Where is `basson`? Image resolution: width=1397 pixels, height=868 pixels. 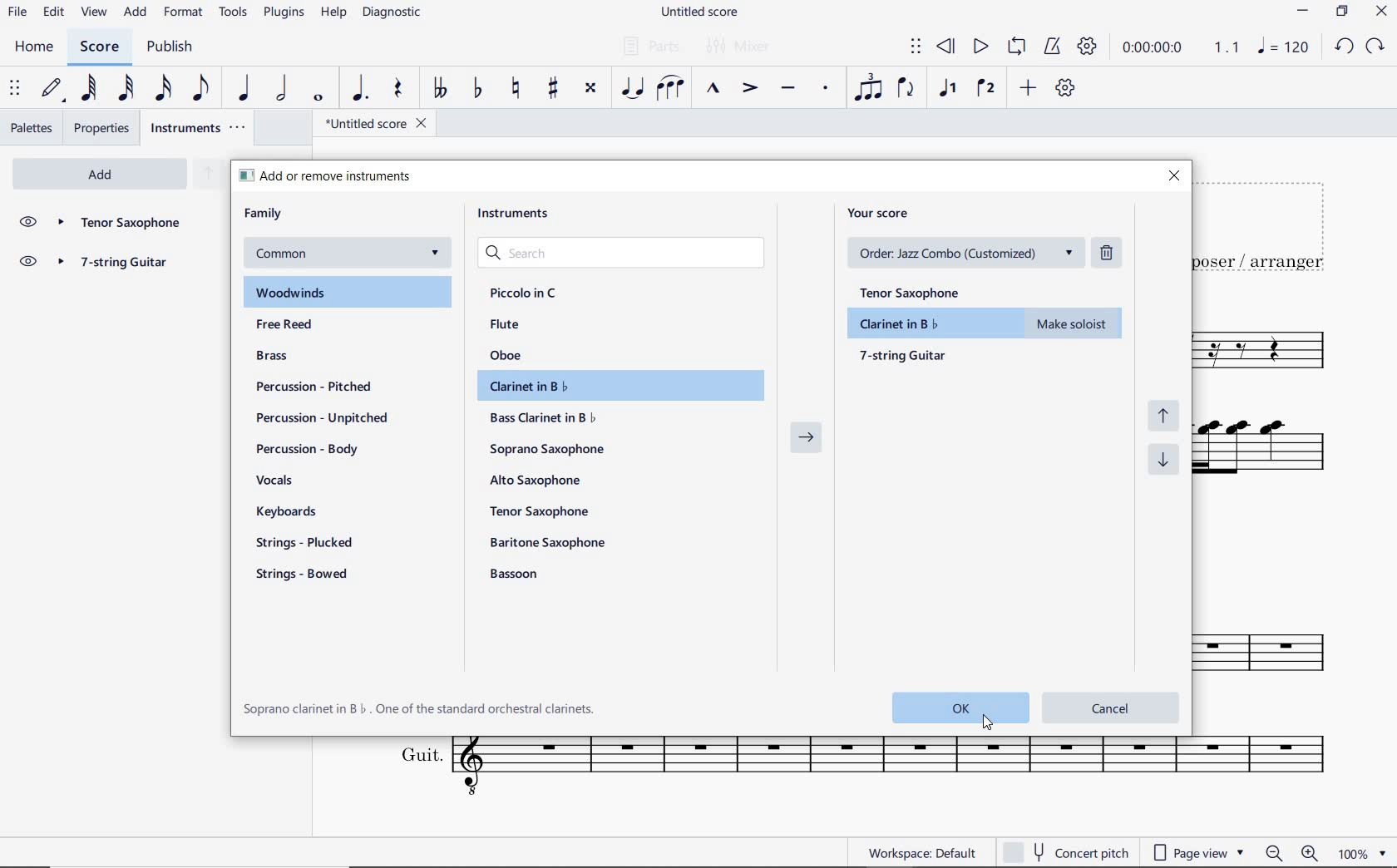 basson is located at coordinates (516, 574).